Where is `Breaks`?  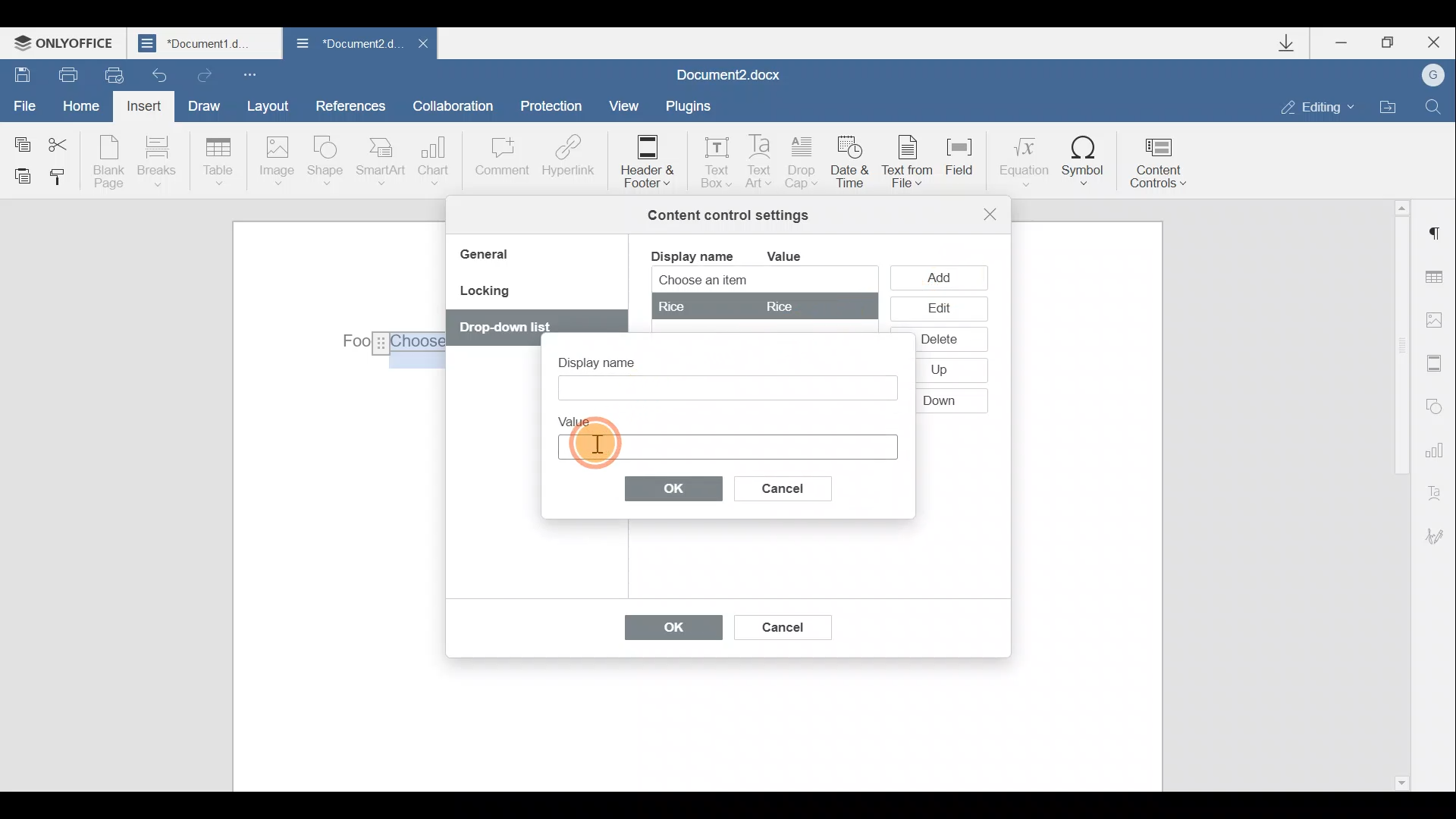
Breaks is located at coordinates (155, 165).